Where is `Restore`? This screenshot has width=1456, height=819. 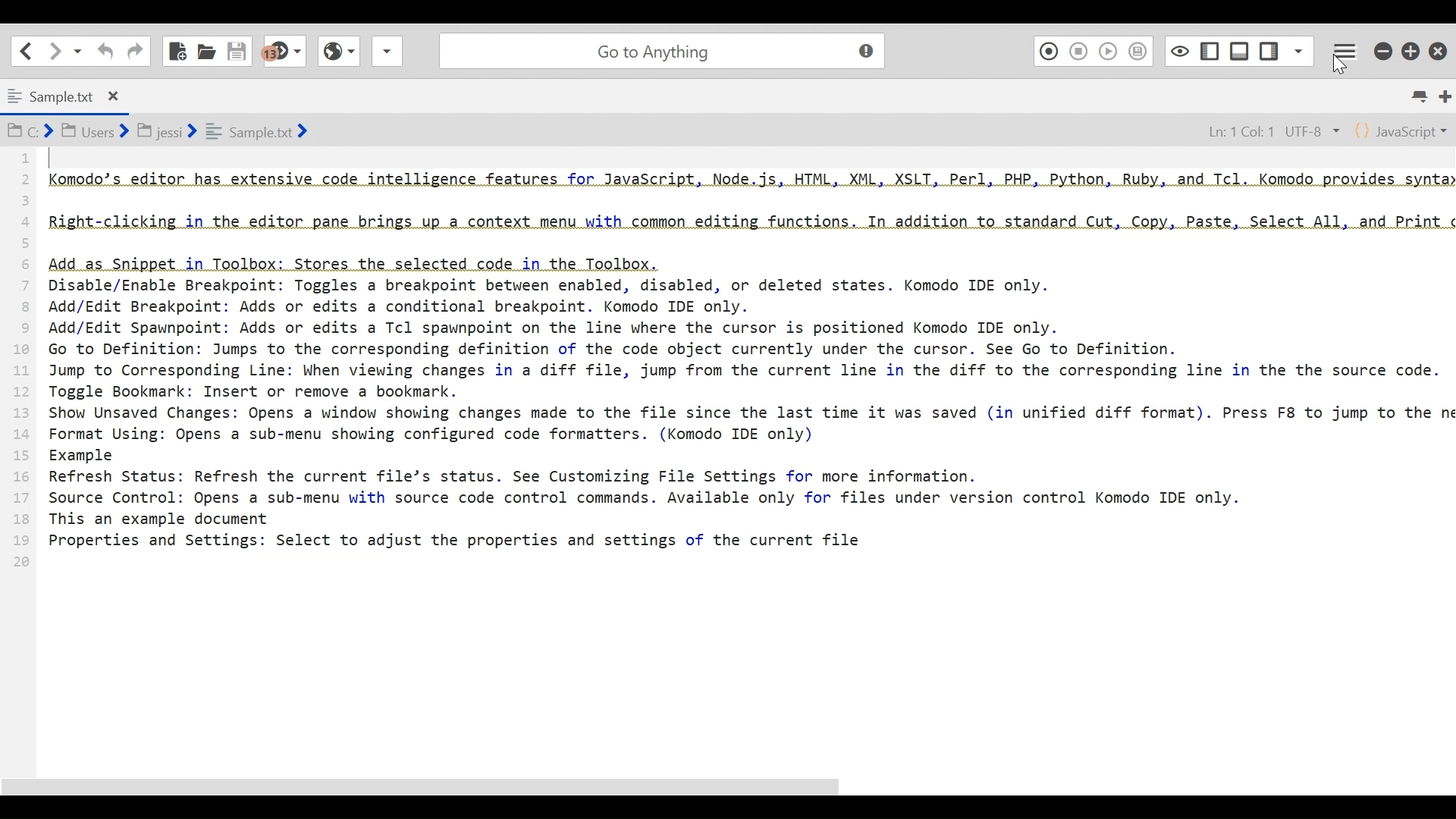
Restore is located at coordinates (1412, 49).